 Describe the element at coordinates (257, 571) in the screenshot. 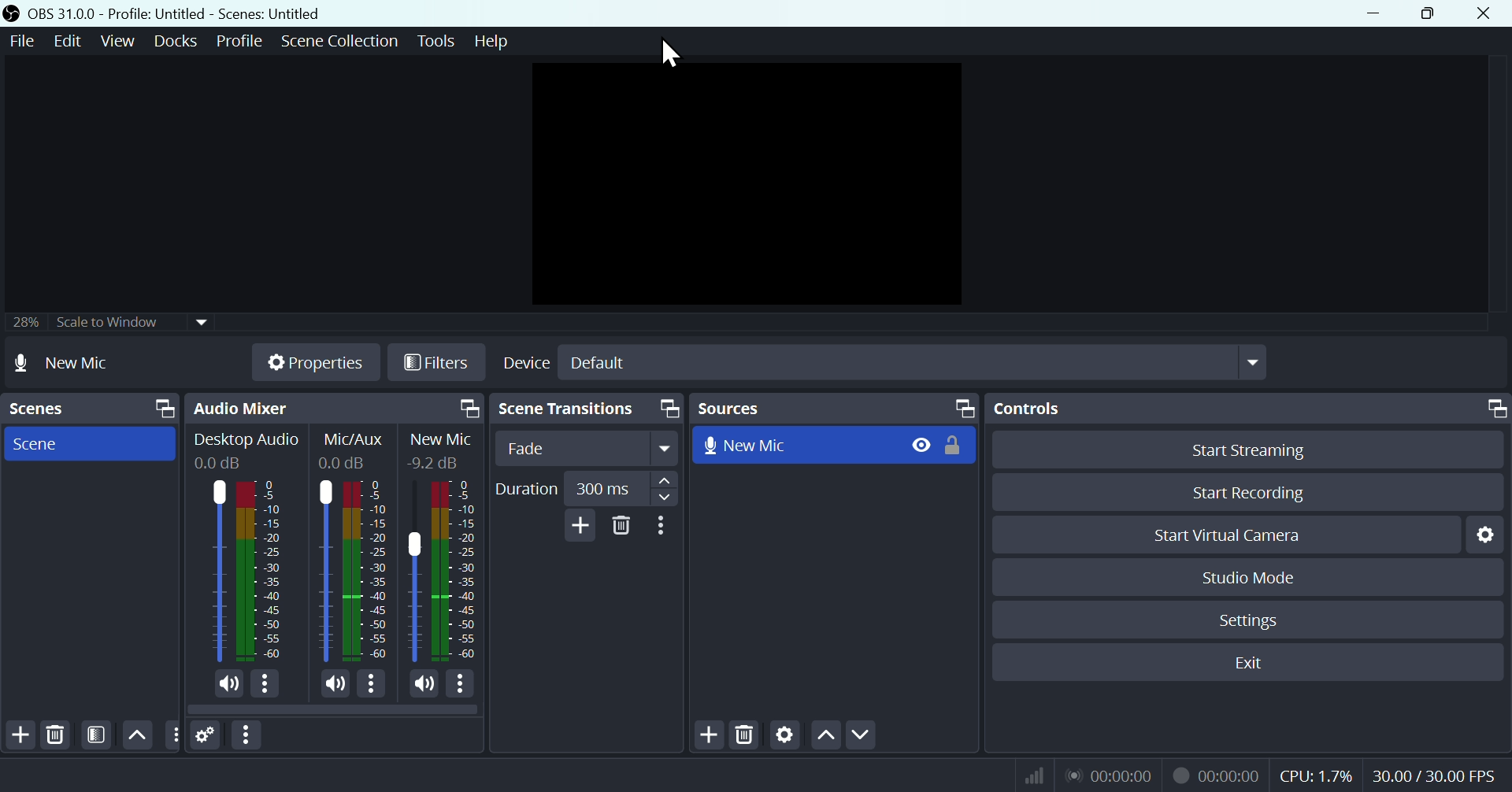

I see `Desktop Audio bar` at that location.